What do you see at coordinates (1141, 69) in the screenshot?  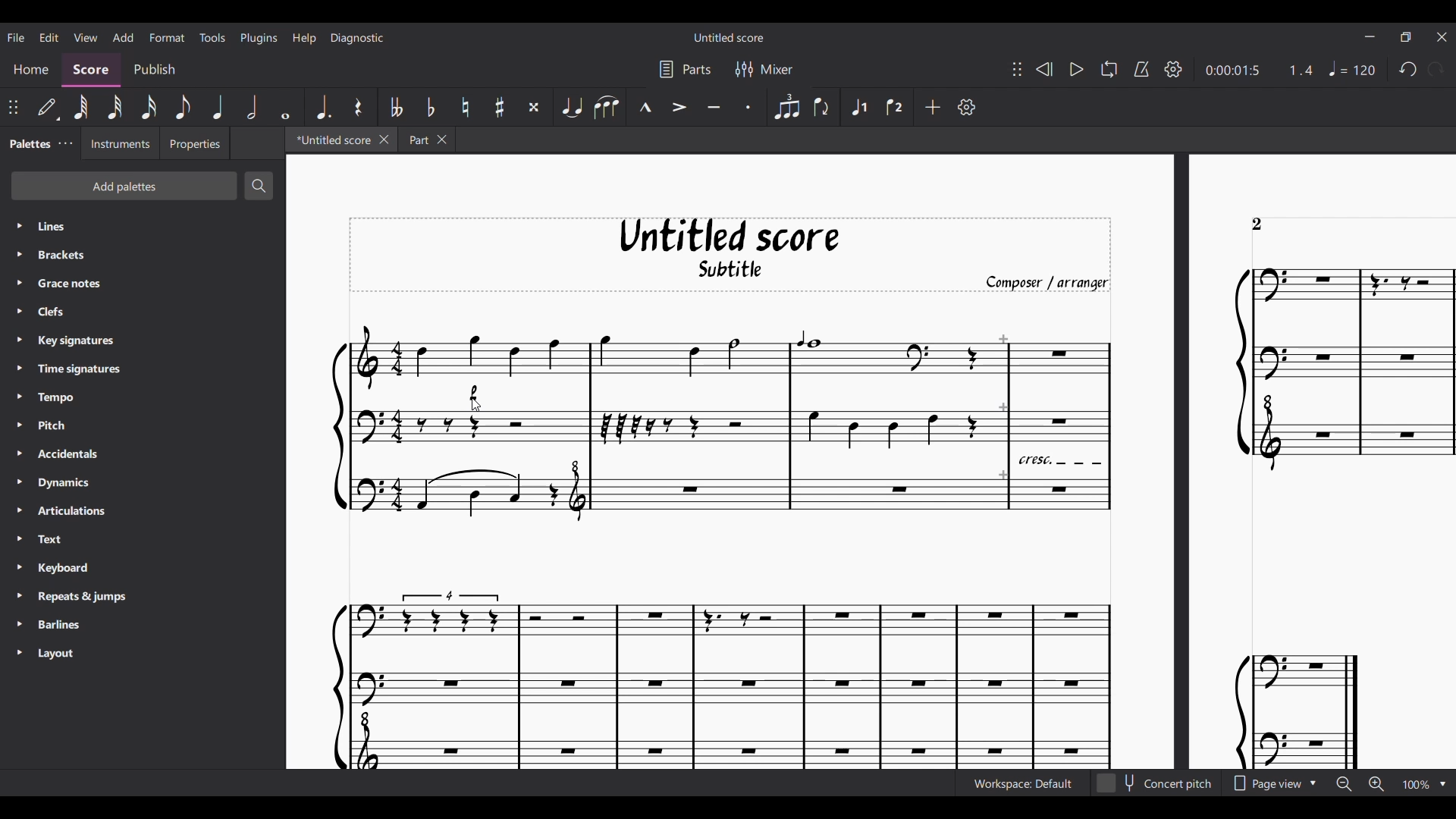 I see `Metronome` at bounding box center [1141, 69].